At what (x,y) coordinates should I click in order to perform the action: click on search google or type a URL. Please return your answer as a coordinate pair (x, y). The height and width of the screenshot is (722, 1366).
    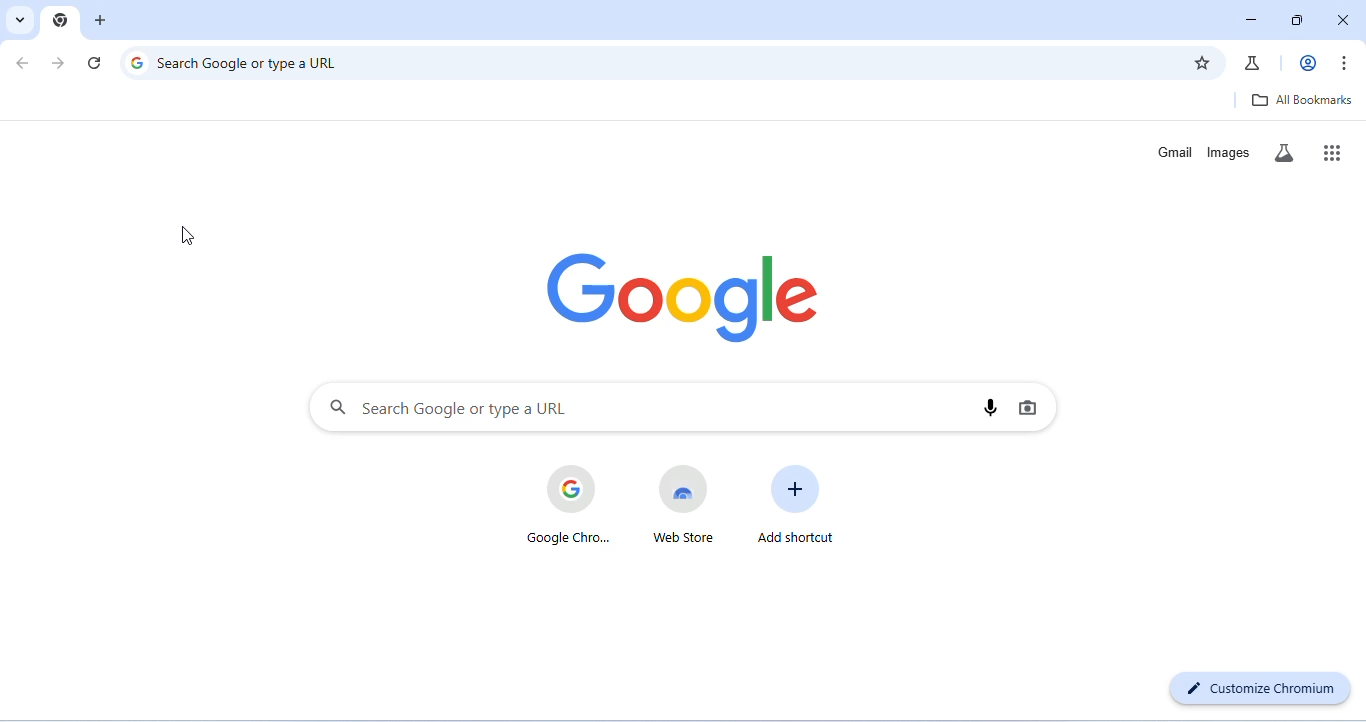
    Looking at the image, I should click on (648, 407).